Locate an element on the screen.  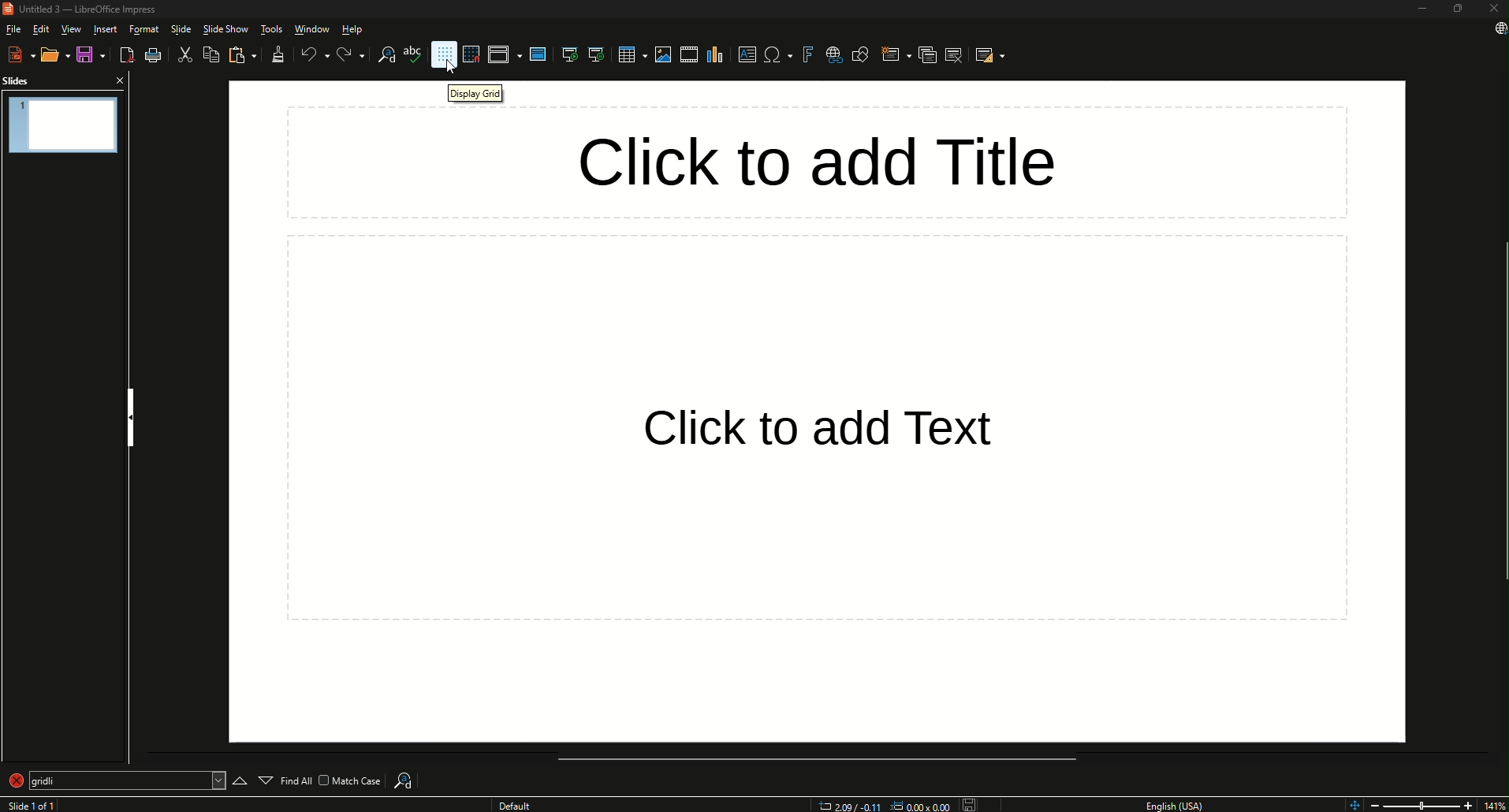
Tools is located at coordinates (270, 28).